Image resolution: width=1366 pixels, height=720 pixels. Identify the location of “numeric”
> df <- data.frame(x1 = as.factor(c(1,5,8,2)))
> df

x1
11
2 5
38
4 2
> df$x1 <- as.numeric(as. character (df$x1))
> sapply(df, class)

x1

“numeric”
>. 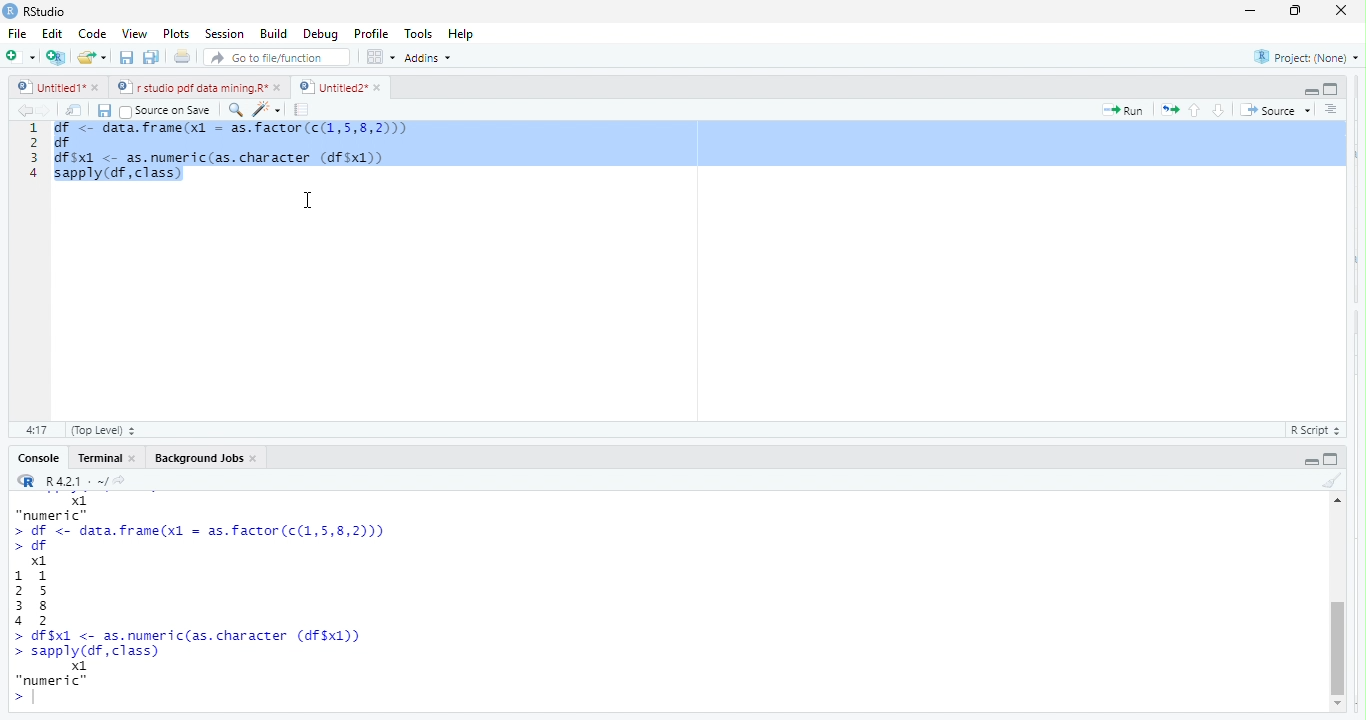
(227, 604).